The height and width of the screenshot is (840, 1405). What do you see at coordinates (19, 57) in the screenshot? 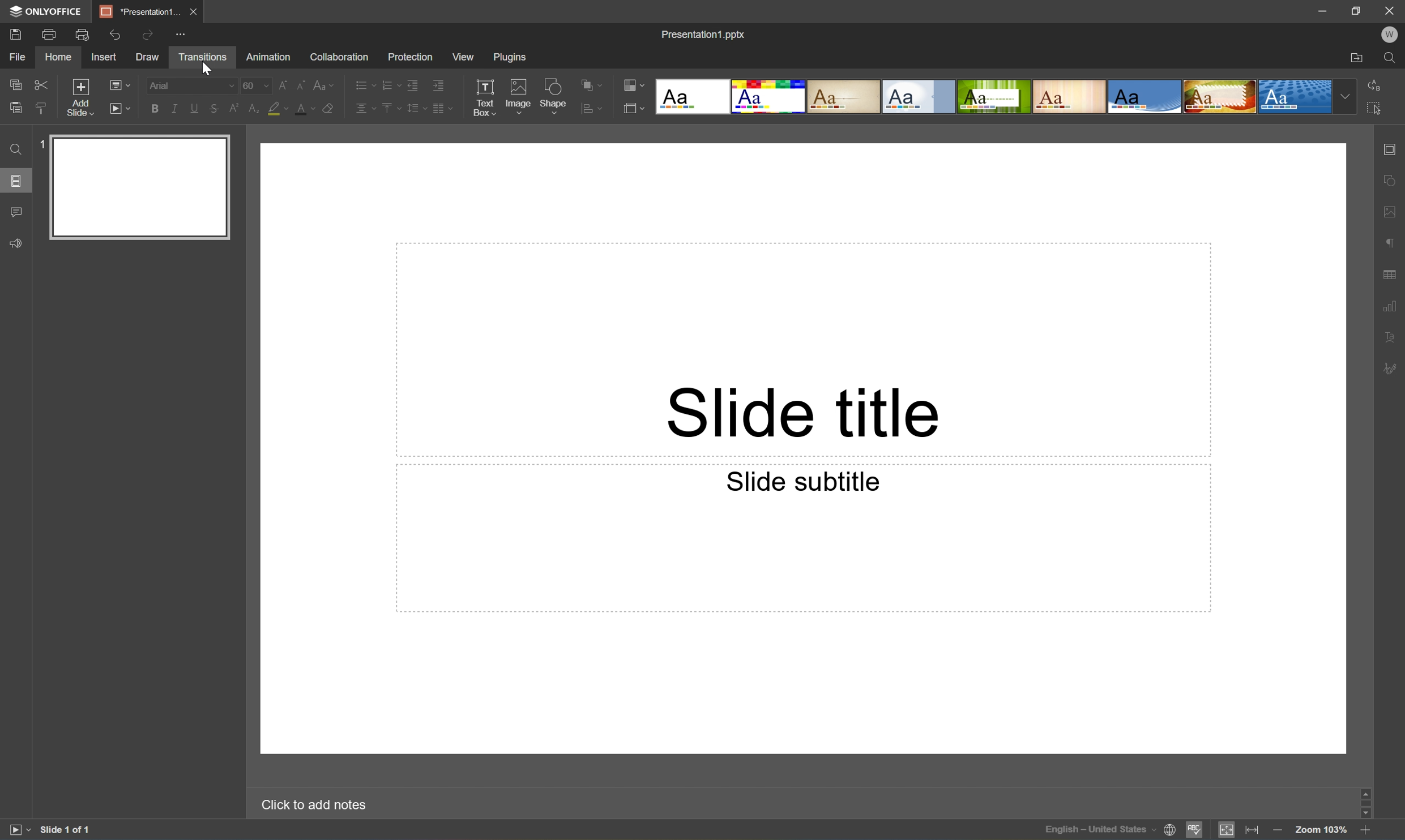
I see `File` at bounding box center [19, 57].